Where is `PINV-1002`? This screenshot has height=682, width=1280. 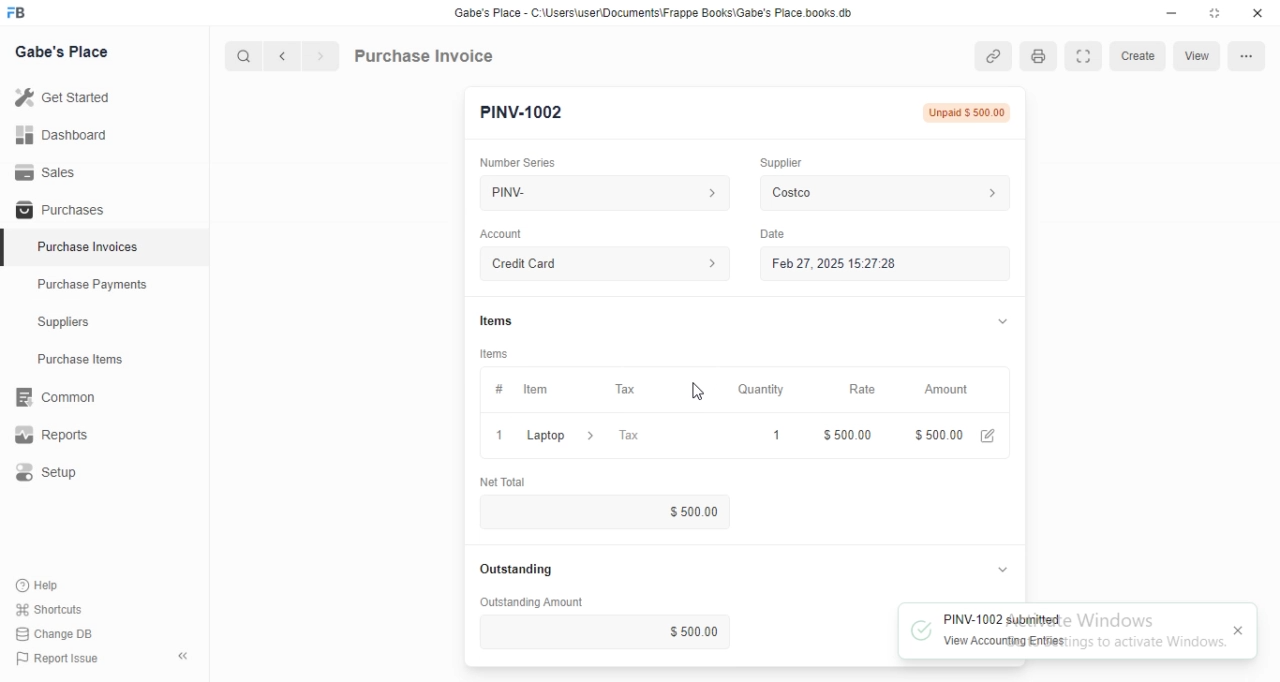 PINV-1002 is located at coordinates (522, 113).